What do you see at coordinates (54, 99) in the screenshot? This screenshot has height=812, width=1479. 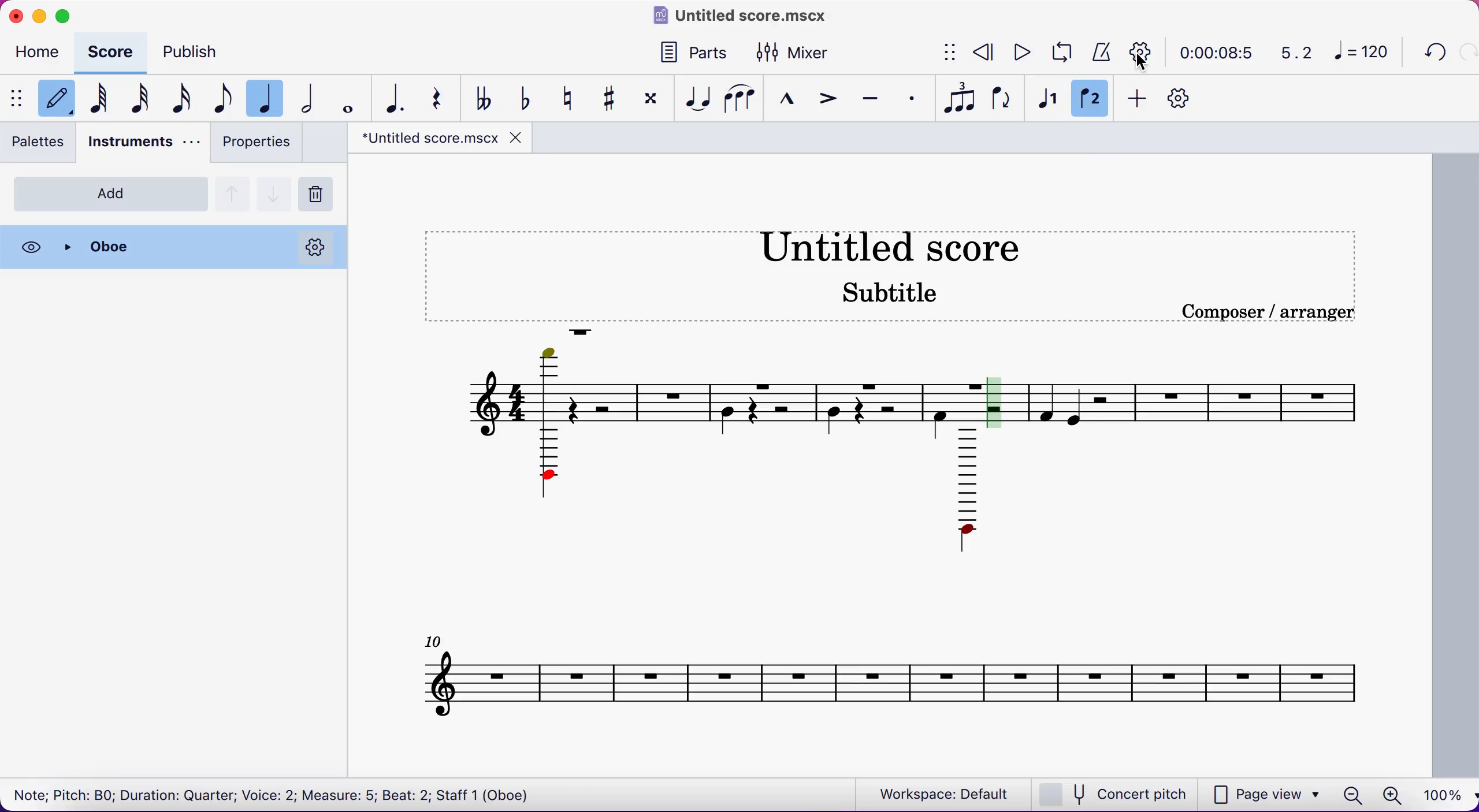 I see `default` at bounding box center [54, 99].